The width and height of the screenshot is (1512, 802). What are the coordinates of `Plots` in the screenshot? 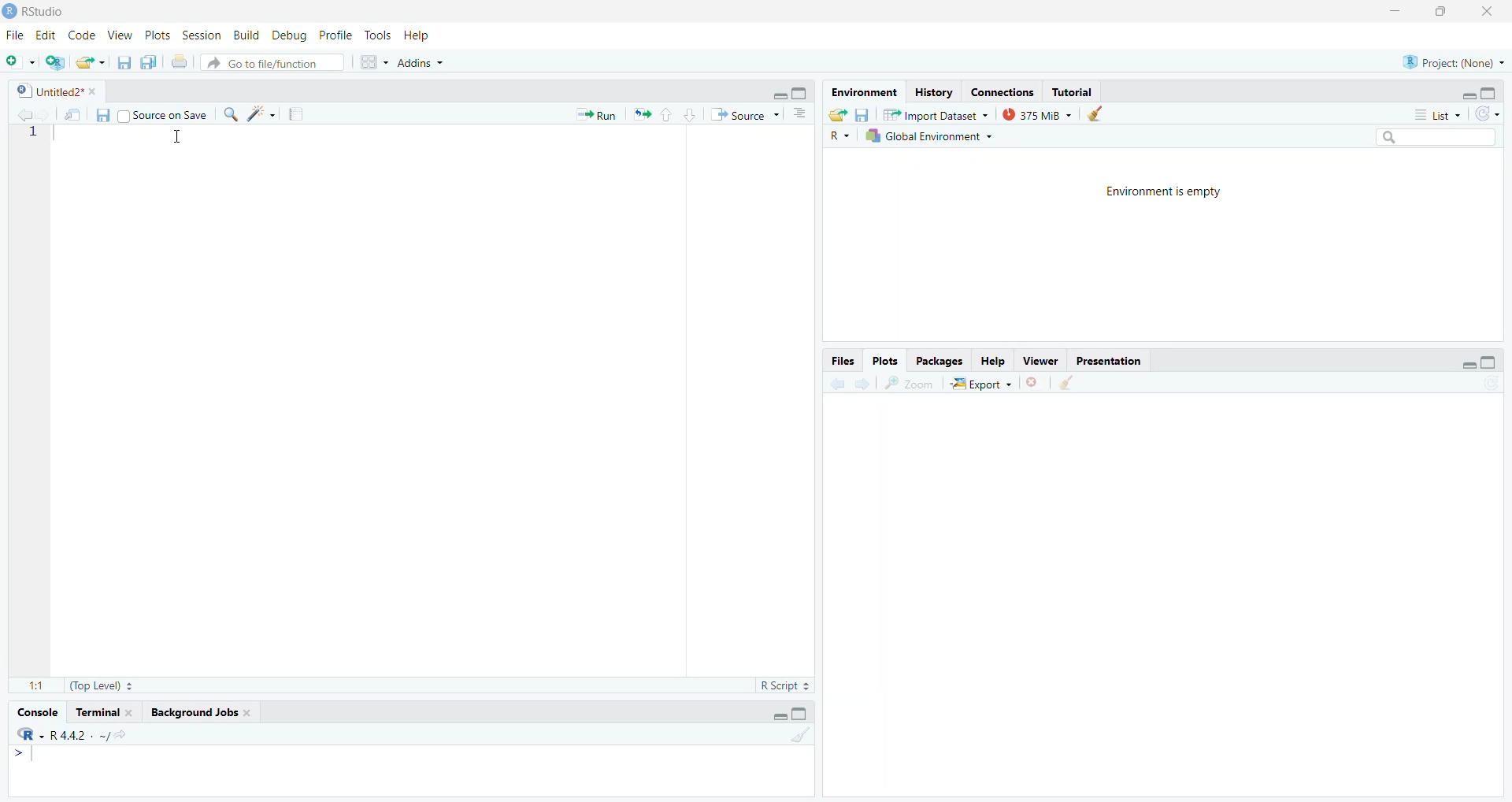 It's located at (157, 35).